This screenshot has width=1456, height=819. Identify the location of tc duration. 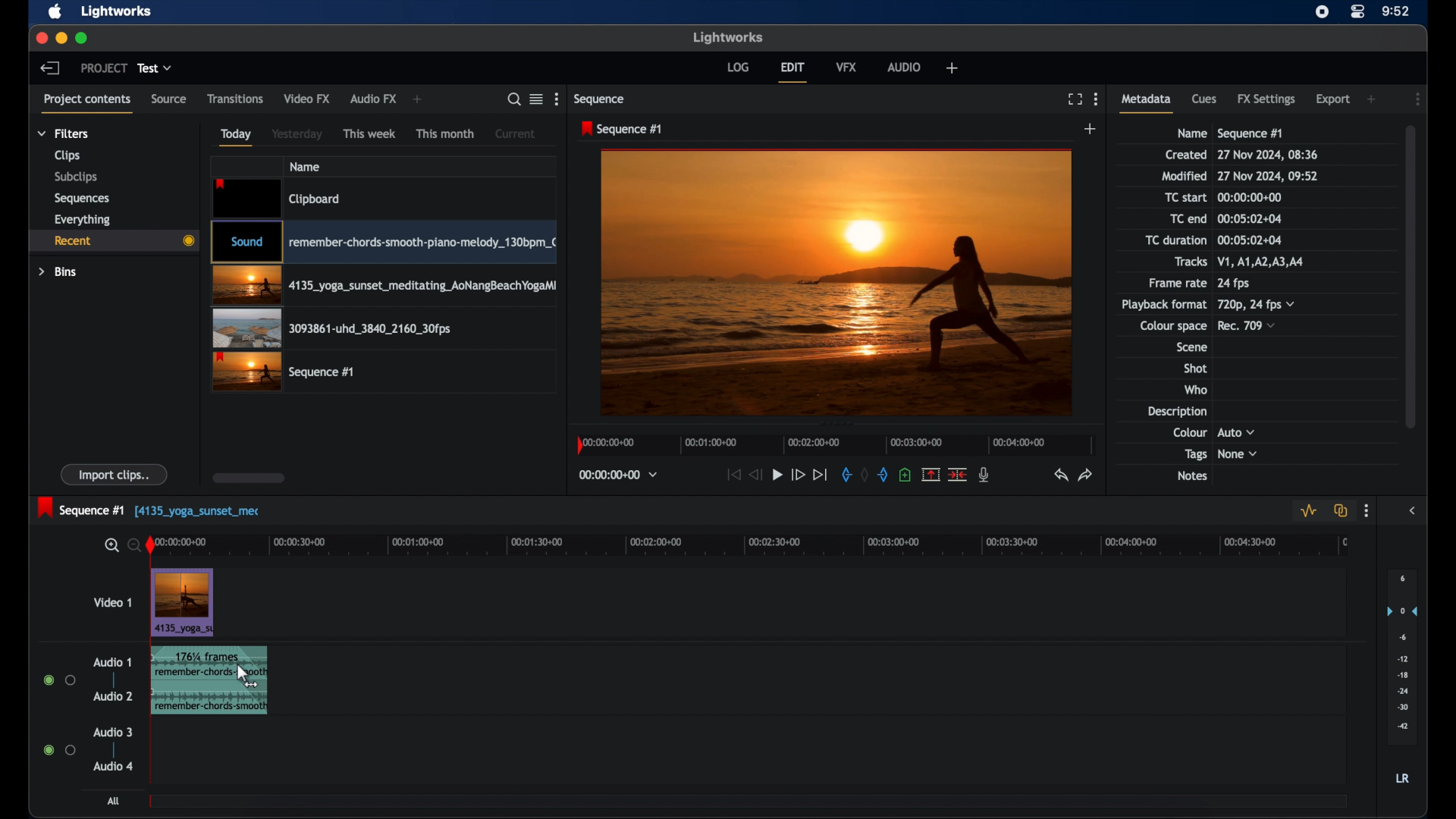
(1248, 240).